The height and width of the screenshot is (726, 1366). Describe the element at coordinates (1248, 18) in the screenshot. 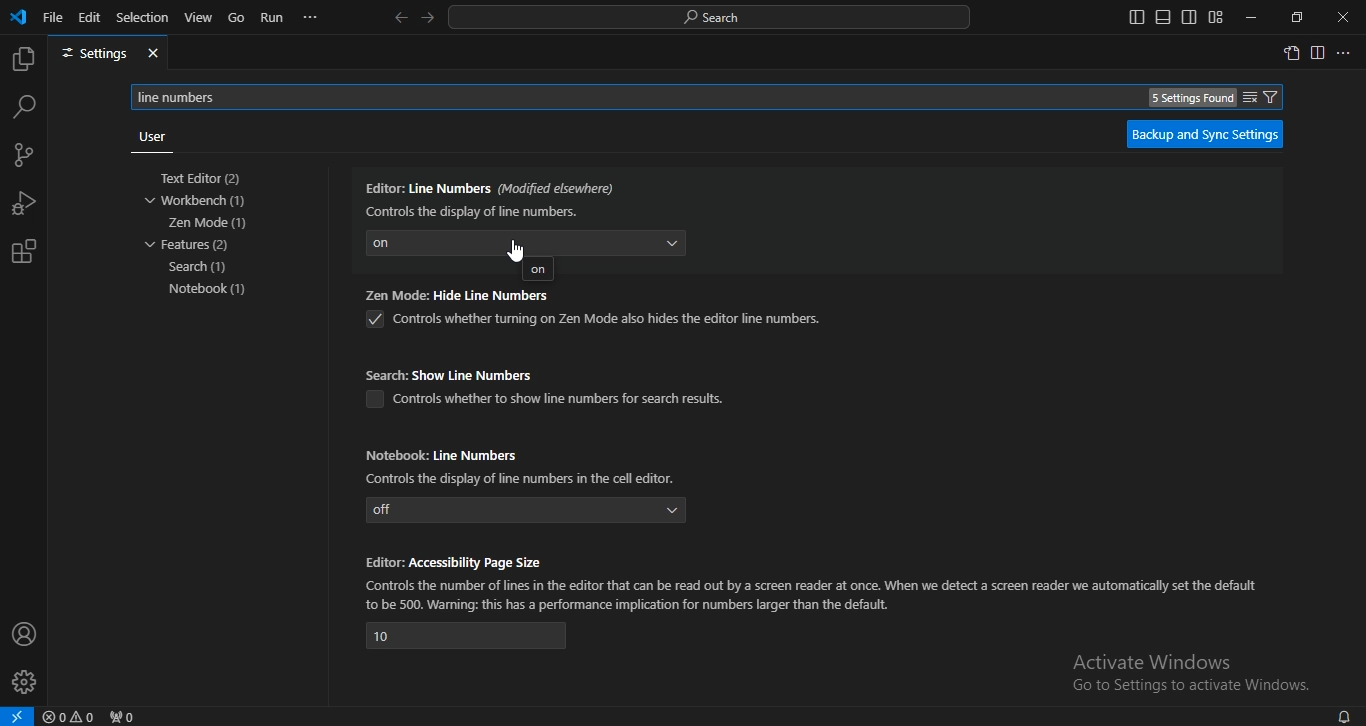

I see `minimize` at that location.